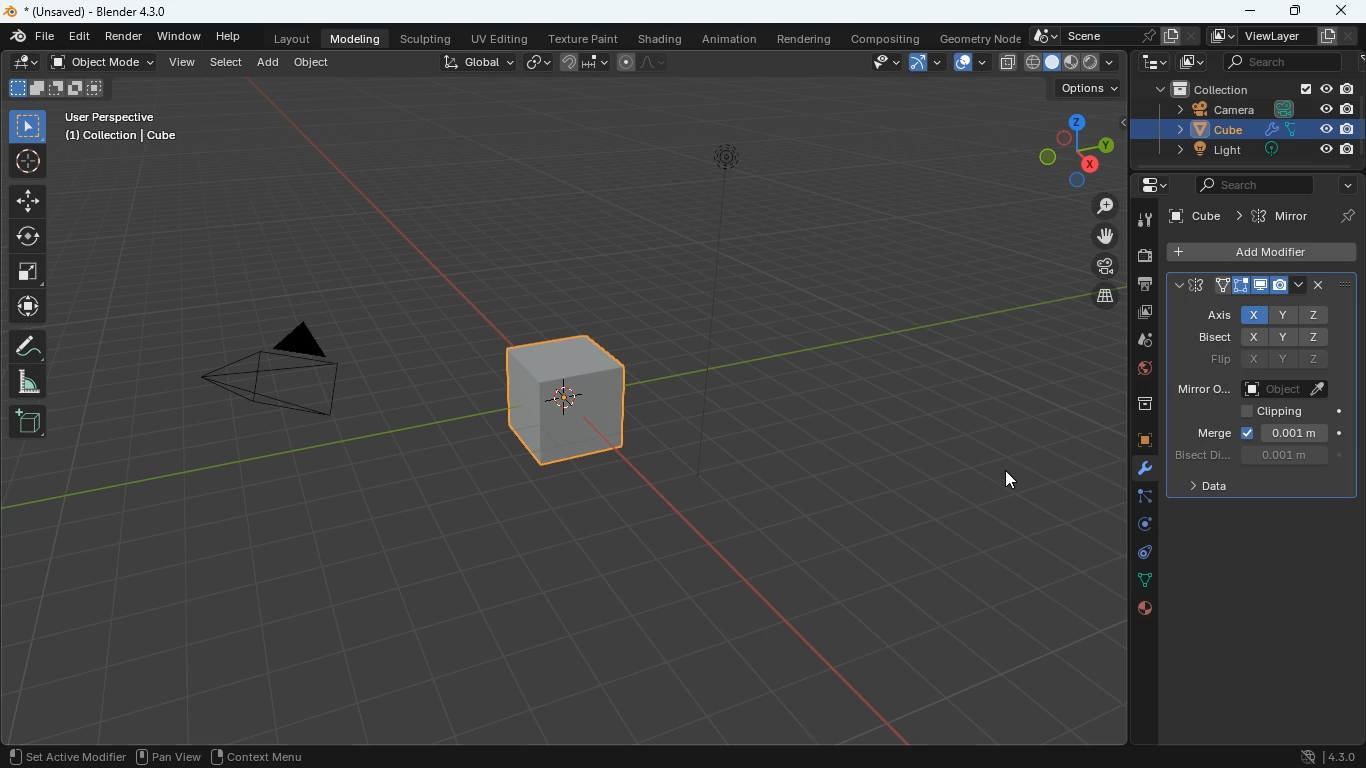  Describe the element at coordinates (1288, 36) in the screenshot. I see `viewlayer` at that location.